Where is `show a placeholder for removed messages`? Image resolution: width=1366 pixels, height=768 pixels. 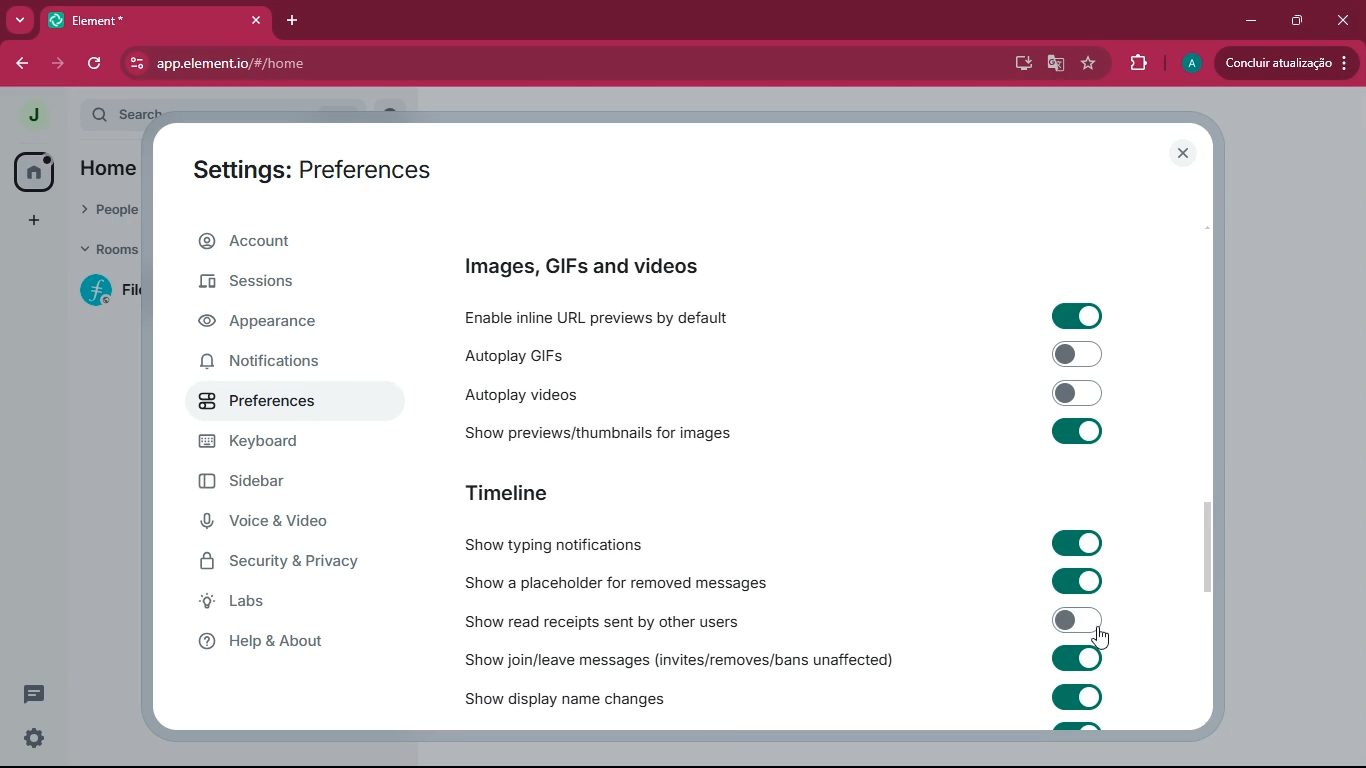 show a placeholder for removed messages is located at coordinates (622, 580).